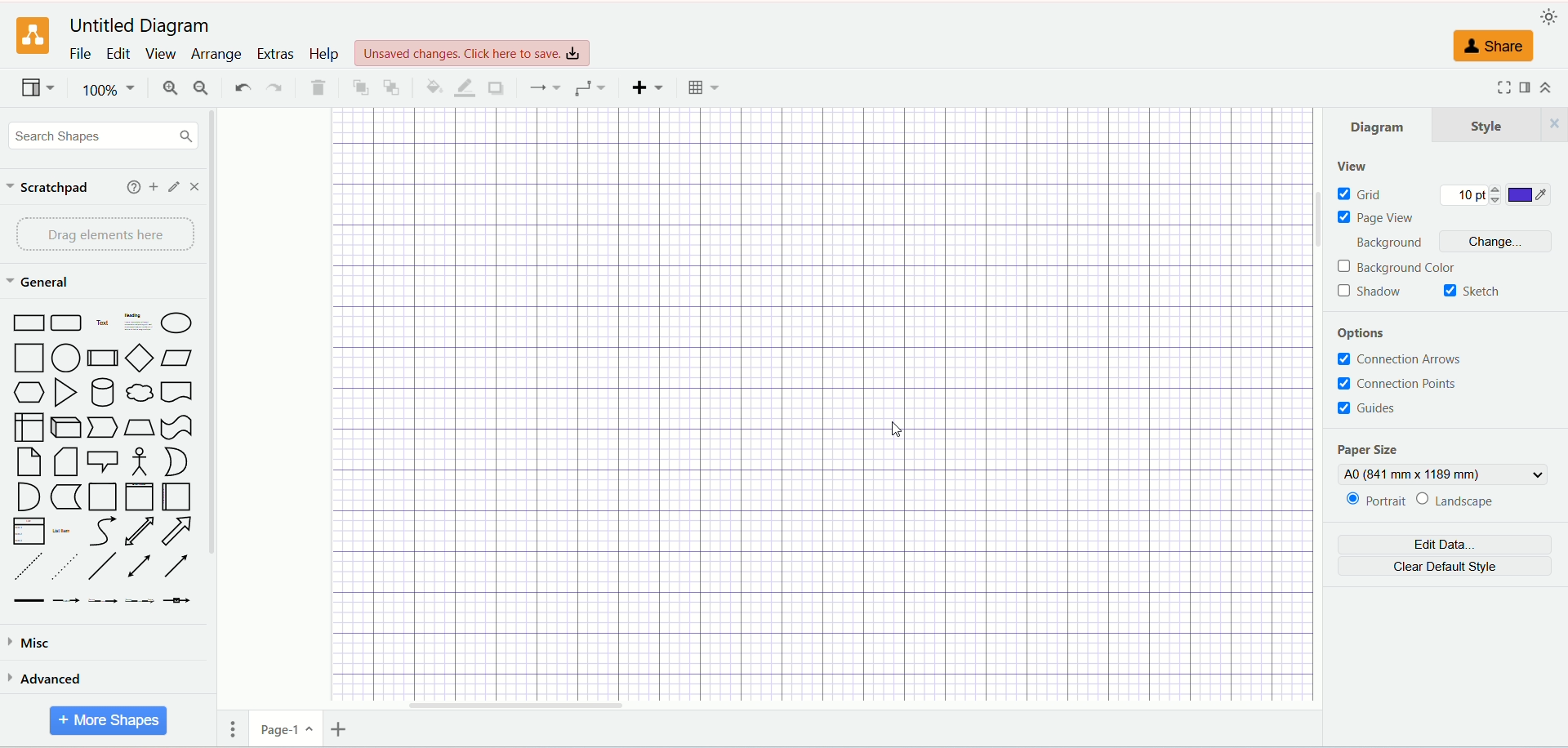  I want to click on cursor position AFTER_LAST_ACTION, so click(901, 434).